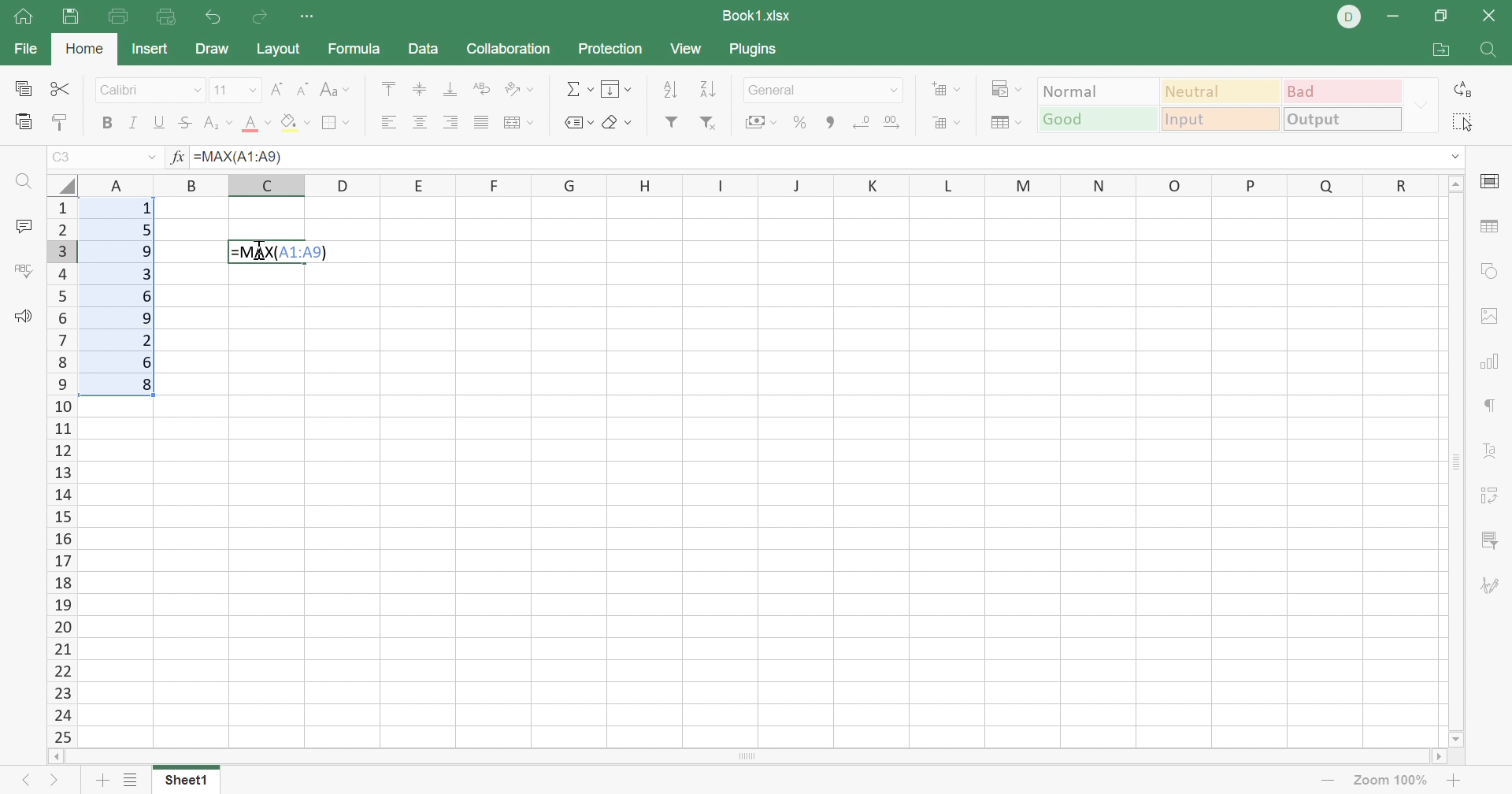 This screenshot has height=794, width=1512. I want to click on Bad, so click(1344, 92).